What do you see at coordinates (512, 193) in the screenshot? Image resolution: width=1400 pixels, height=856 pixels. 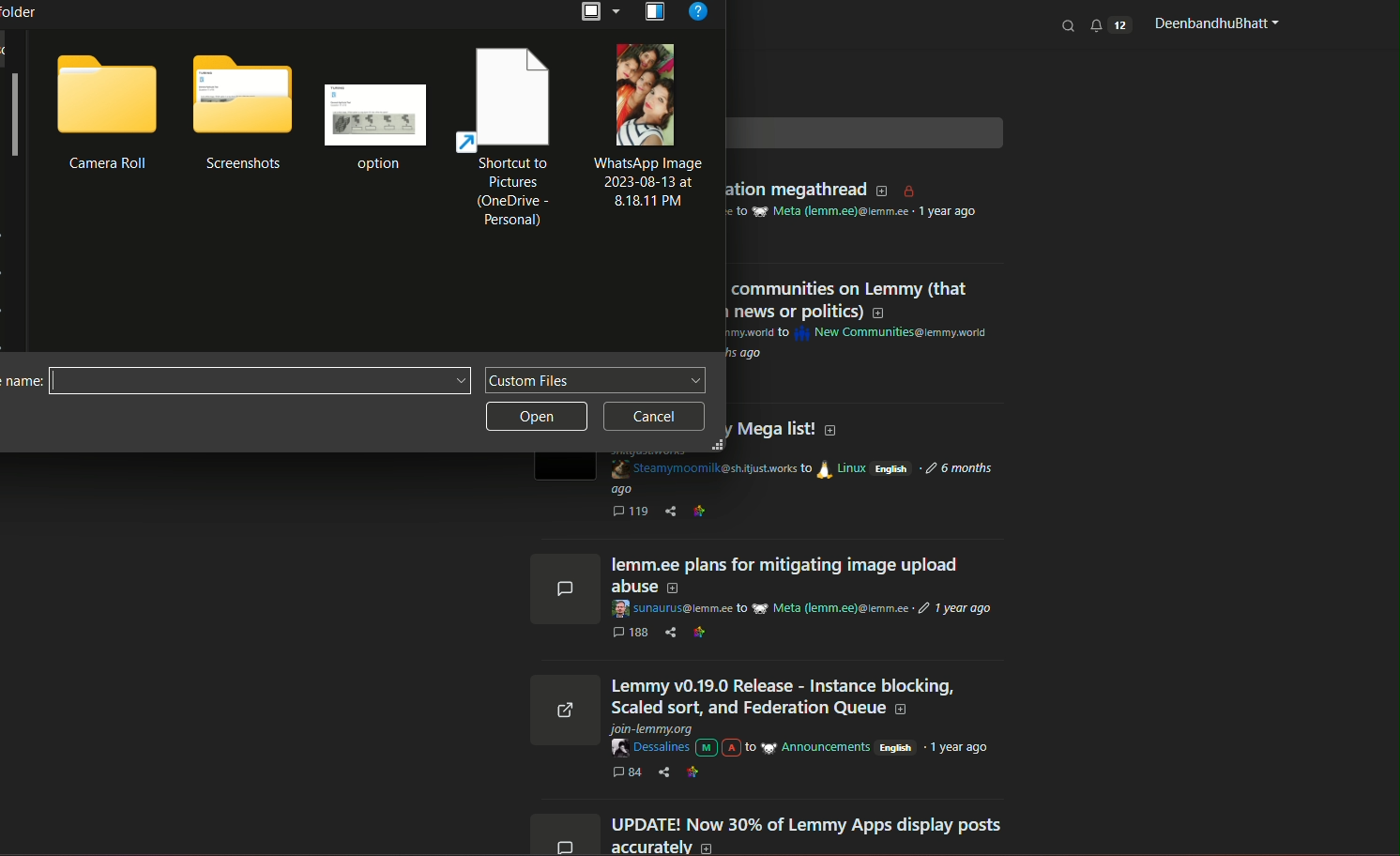 I see `Shortcut to Pictures (OneDrive - Personal)` at bounding box center [512, 193].